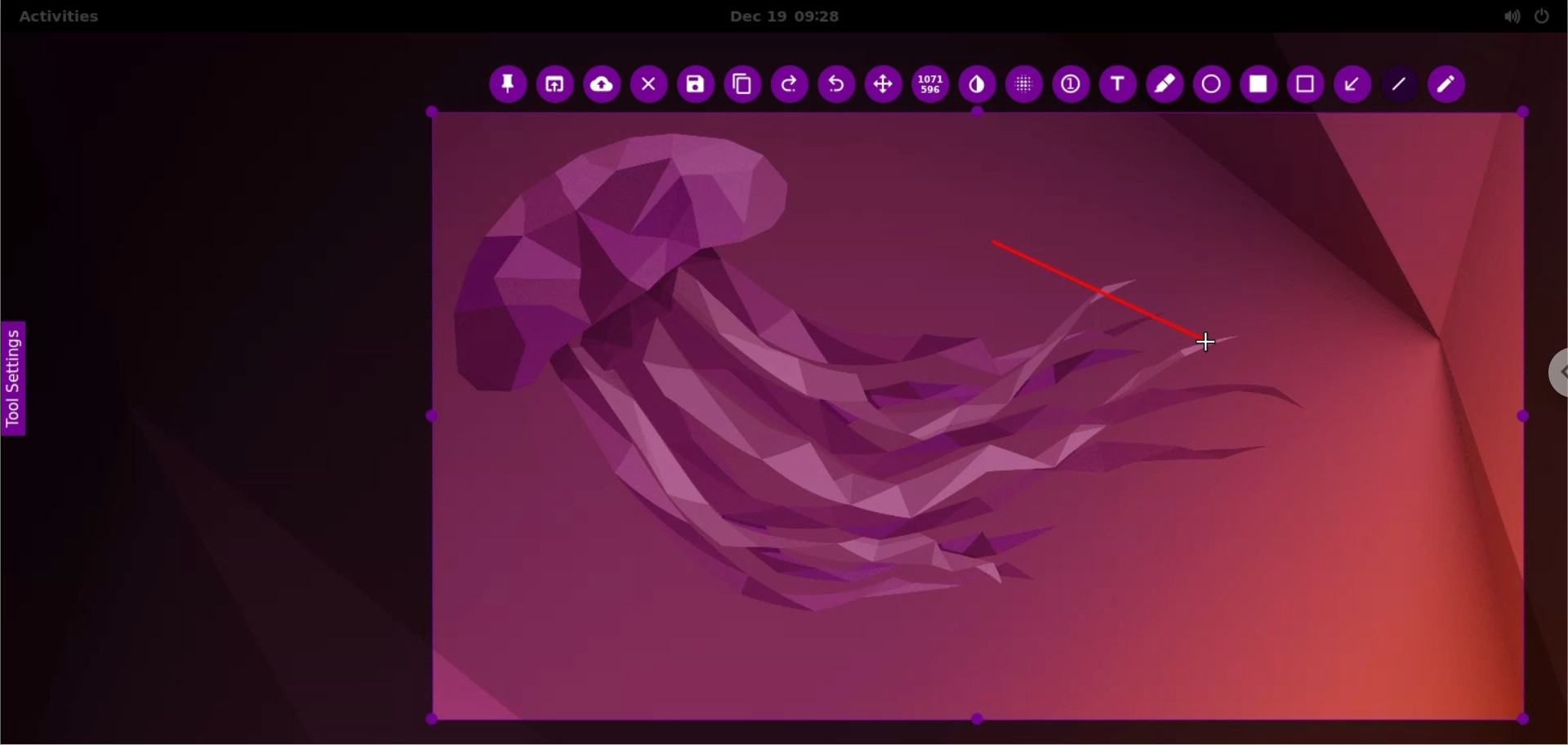  What do you see at coordinates (1261, 86) in the screenshot?
I see `selection` at bounding box center [1261, 86].